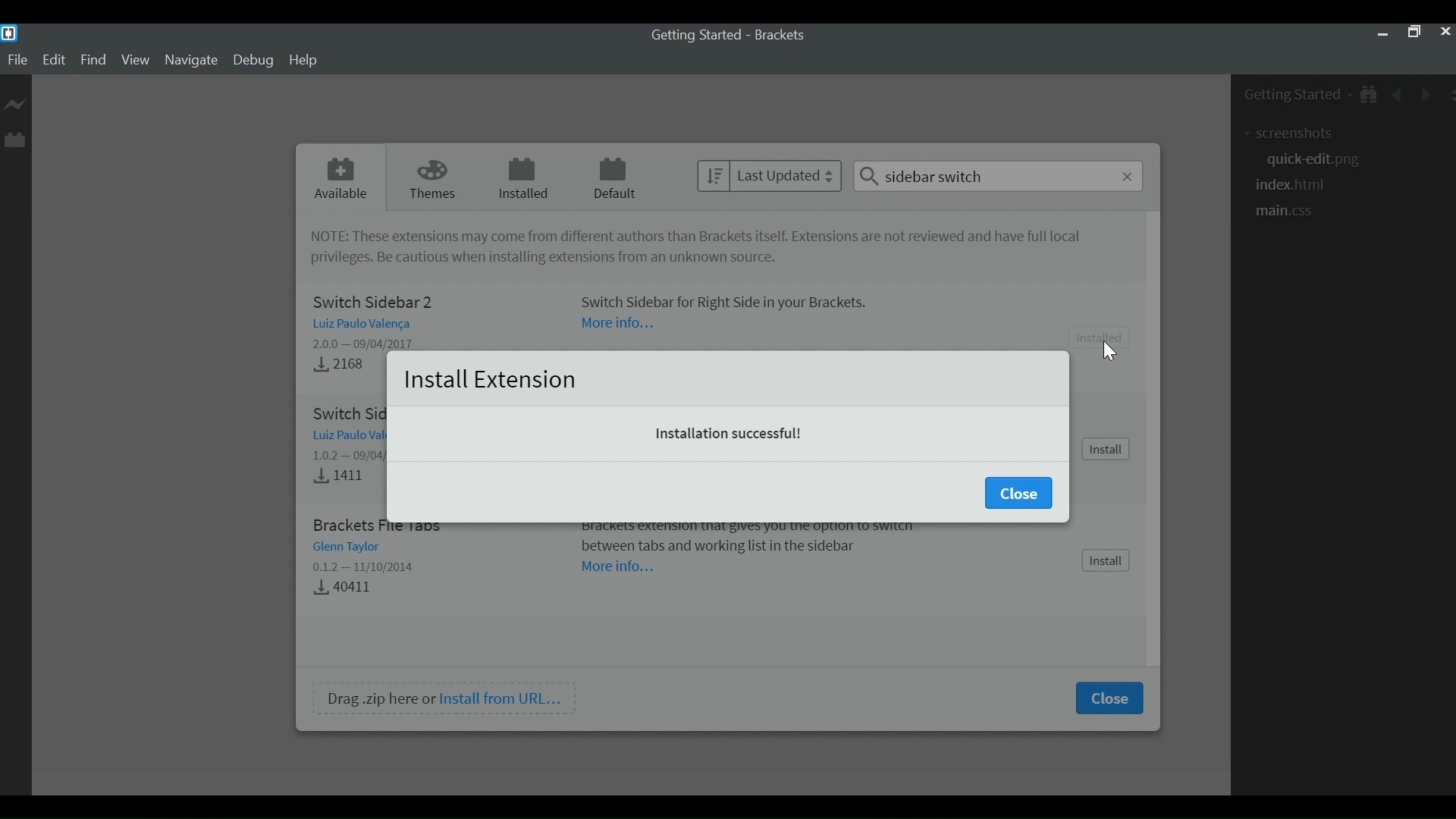  I want to click on Getting Stated, so click(1286, 93).